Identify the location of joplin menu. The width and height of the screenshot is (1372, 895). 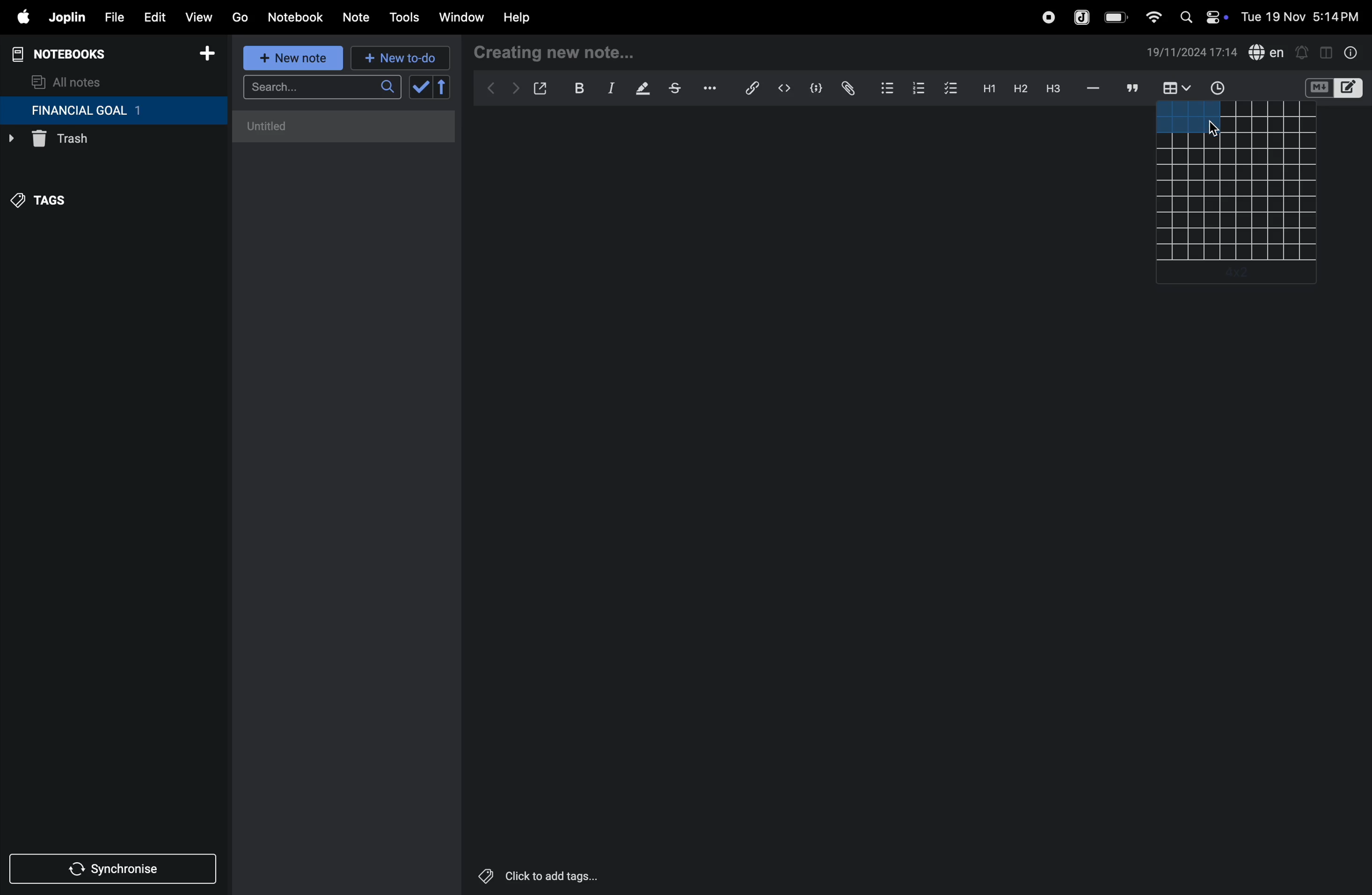
(65, 17).